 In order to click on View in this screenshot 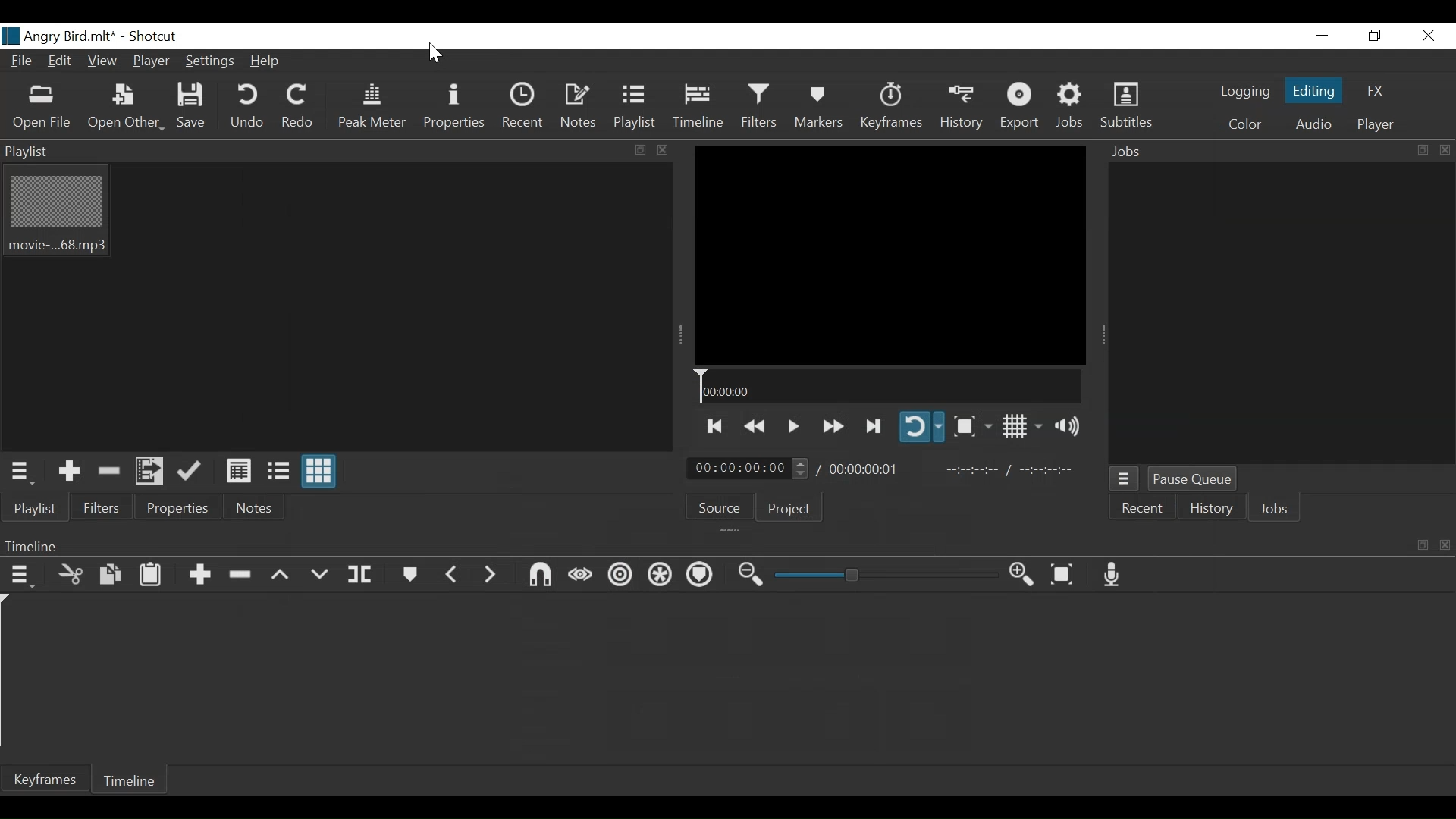, I will do `click(102, 63)`.